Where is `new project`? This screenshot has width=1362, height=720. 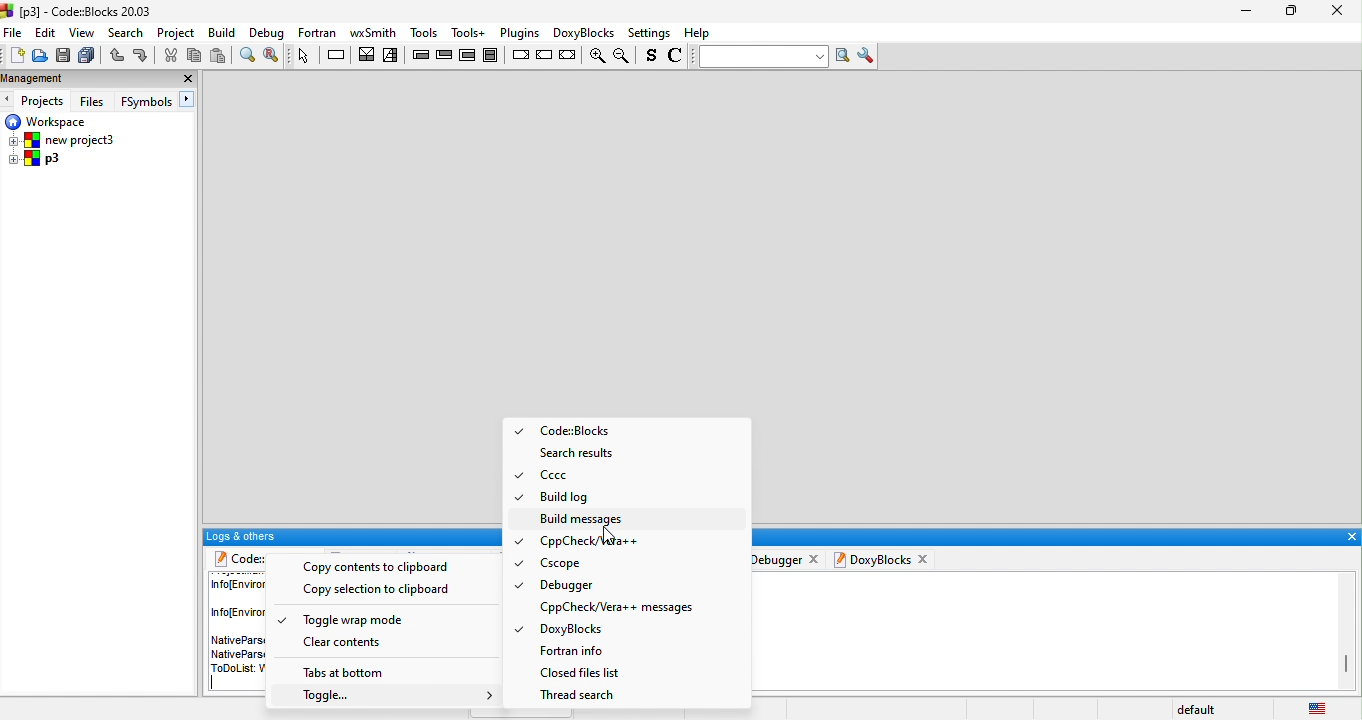 new project is located at coordinates (66, 140).